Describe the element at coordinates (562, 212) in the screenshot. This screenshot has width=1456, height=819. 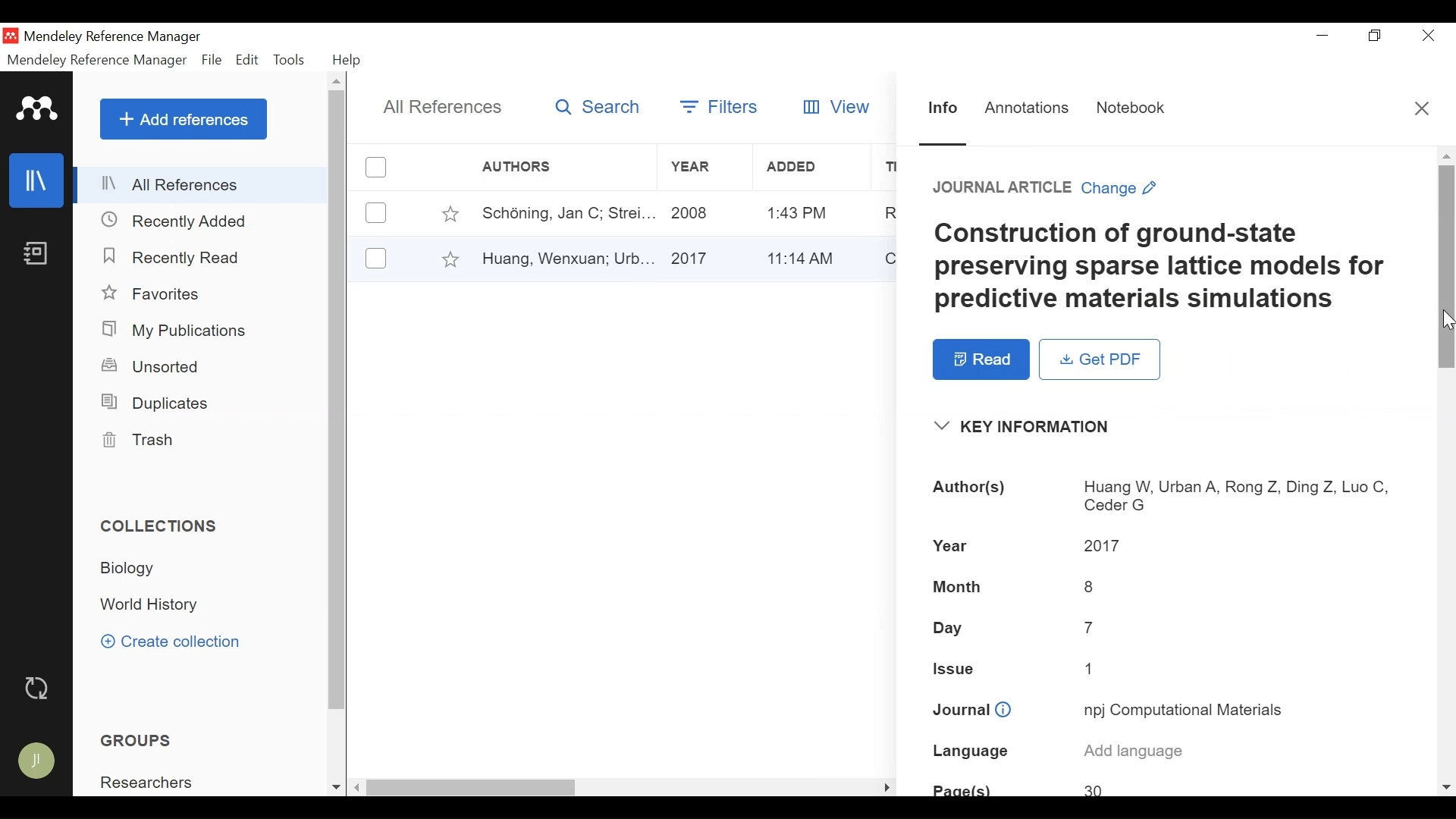
I see `Author` at that location.